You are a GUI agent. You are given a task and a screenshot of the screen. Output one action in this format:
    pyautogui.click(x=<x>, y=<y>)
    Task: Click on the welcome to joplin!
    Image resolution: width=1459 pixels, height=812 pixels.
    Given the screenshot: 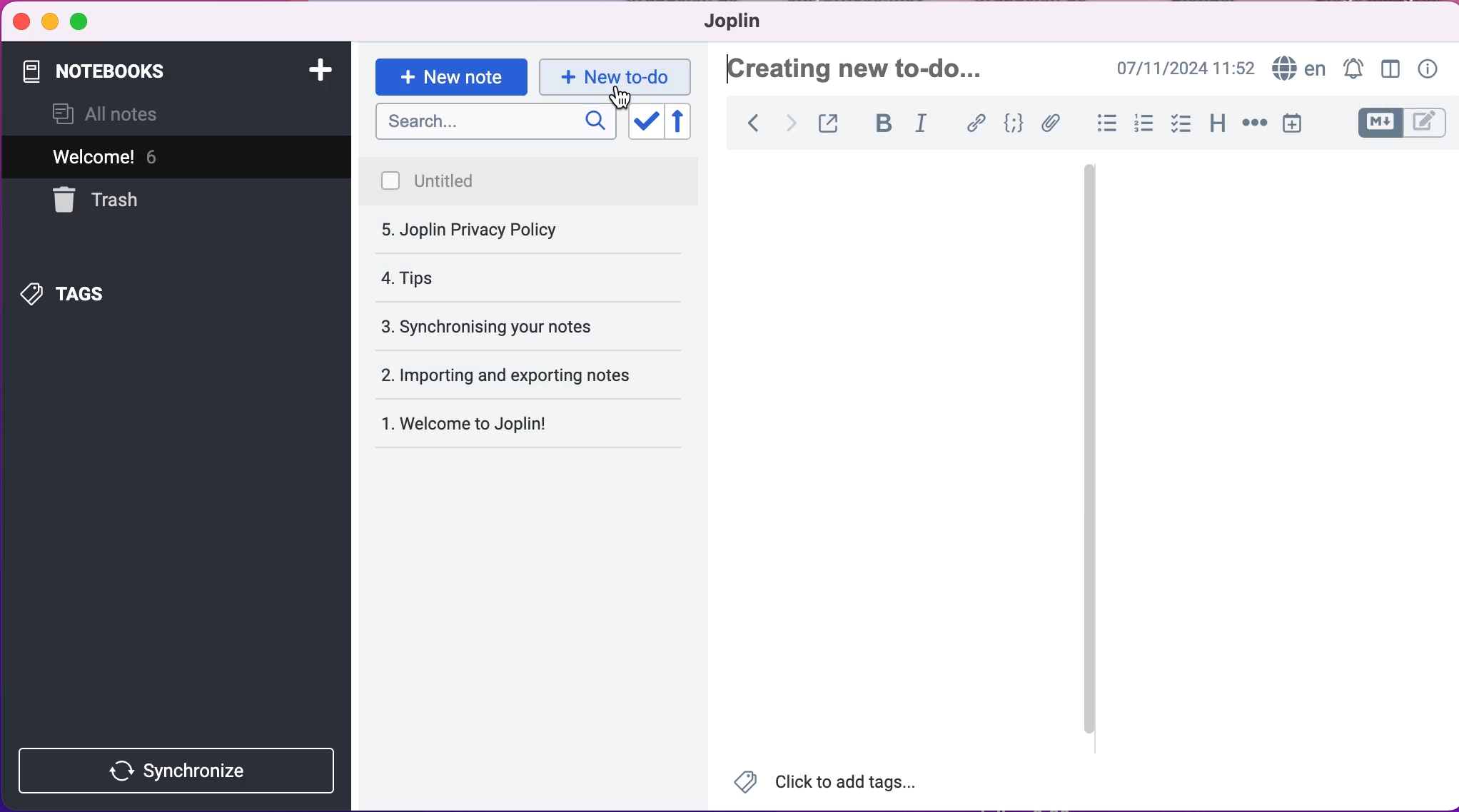 What is the action you would take?
    pyautogui.click(x=495, y=377)
    